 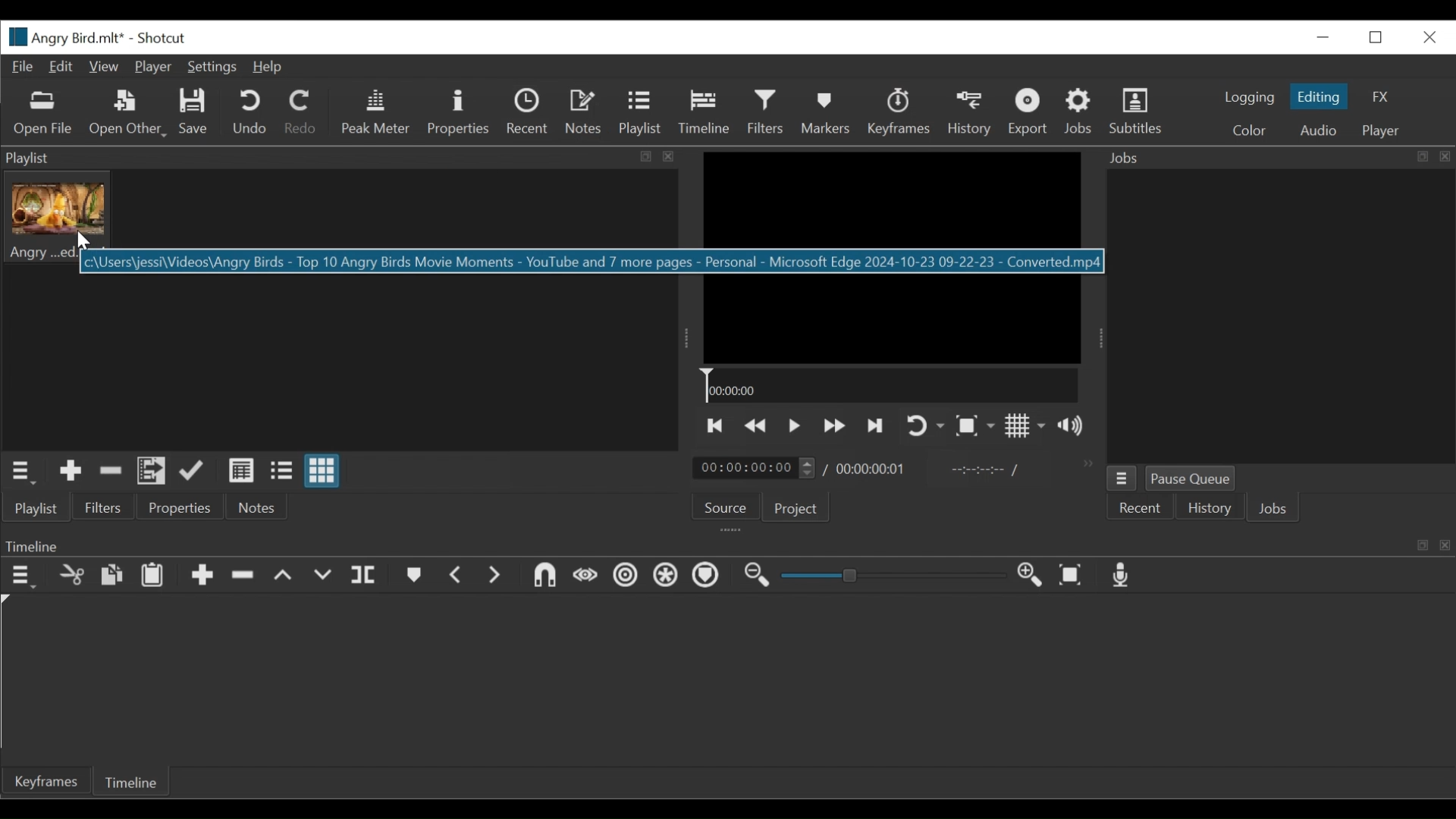 I want to click on Jobs, so click(x=1273, y=510).